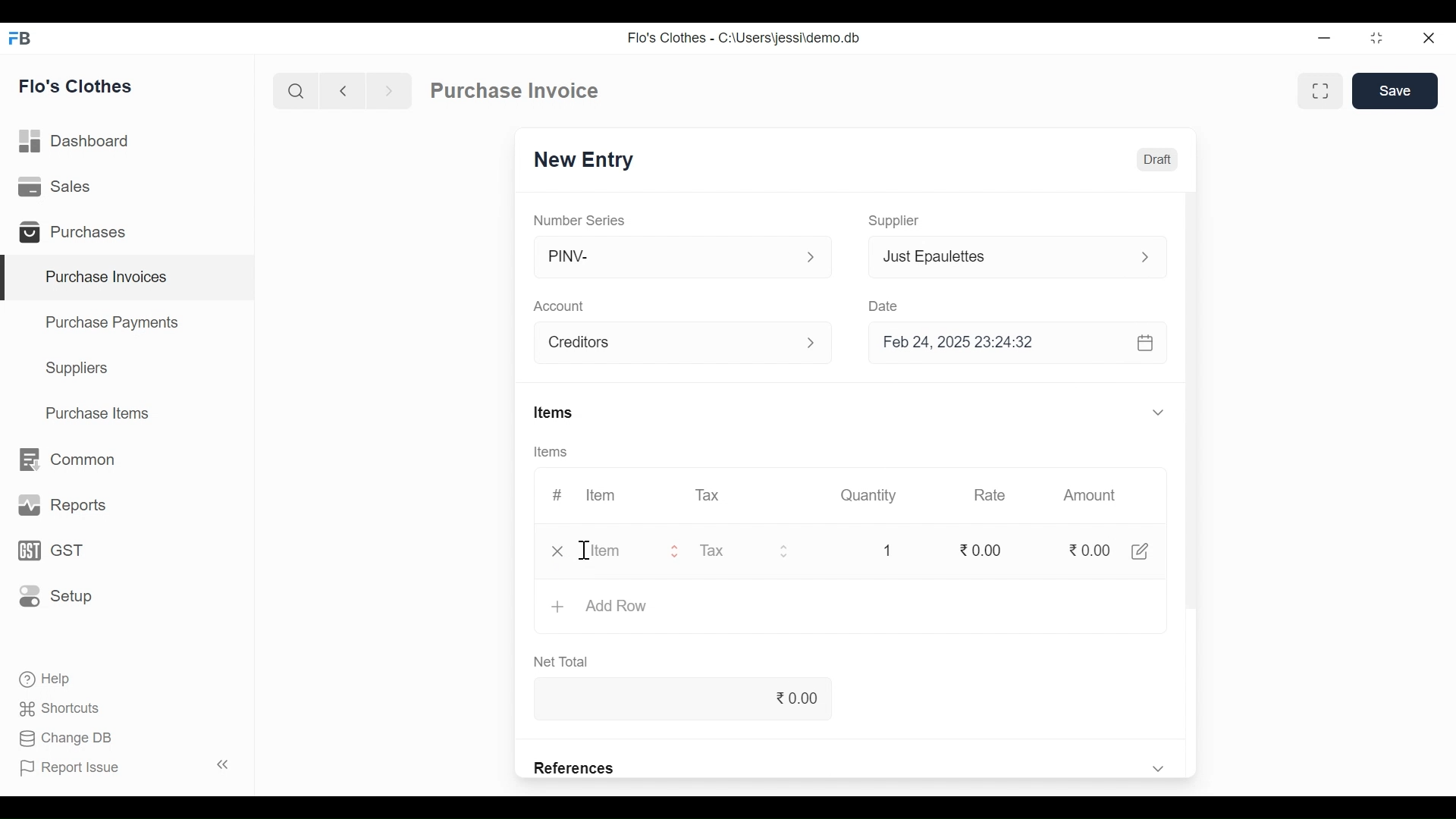 The height and width of the screenshot is (819, 1456). Describe the element at coordinates (1144, 257) in the screenshot. I see `Expand` at that location.